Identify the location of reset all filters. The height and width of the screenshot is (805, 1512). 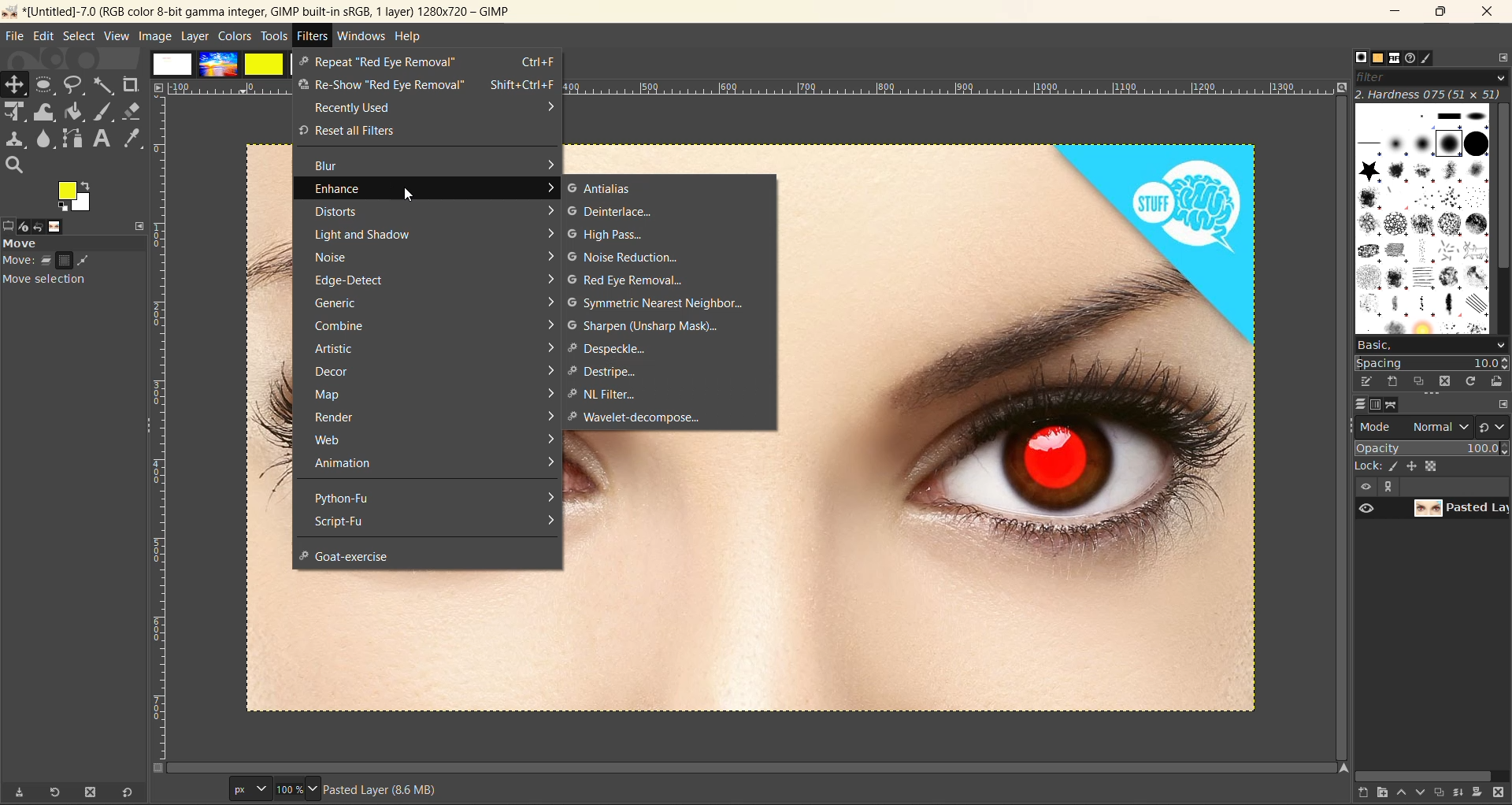
(431, 129).